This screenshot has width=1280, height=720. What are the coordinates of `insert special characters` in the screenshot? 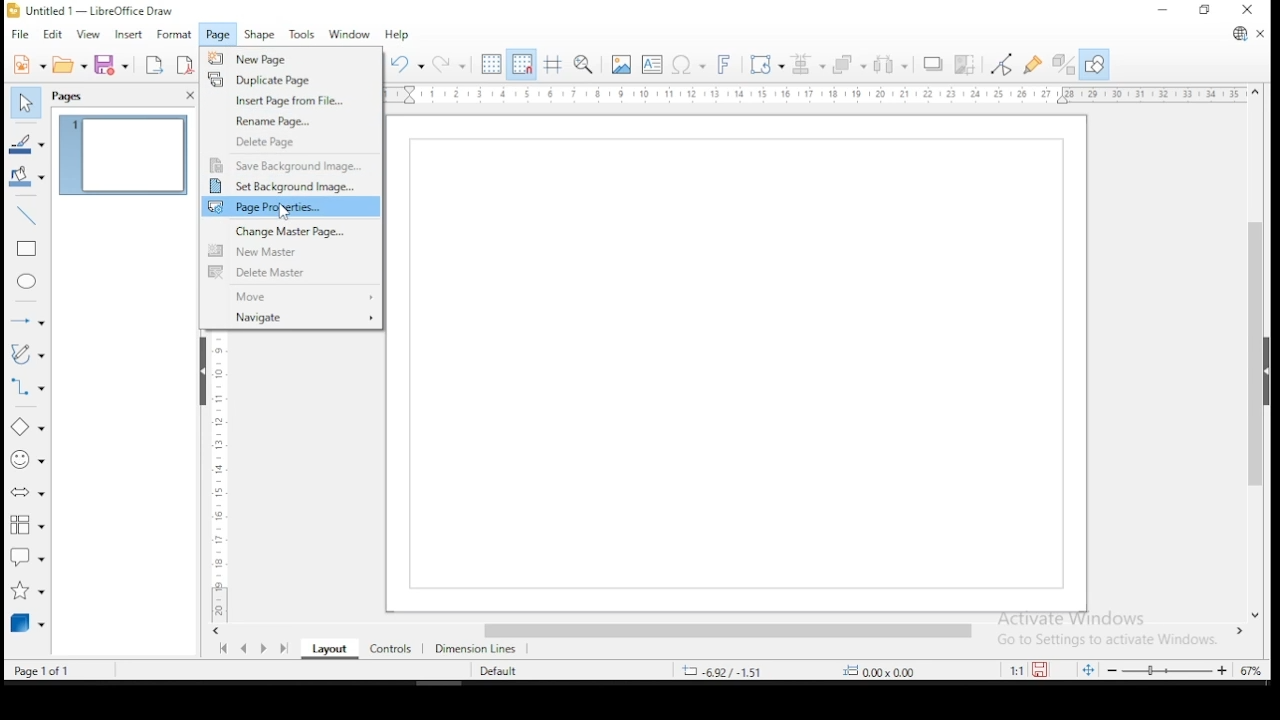 It's located at (688, 66).